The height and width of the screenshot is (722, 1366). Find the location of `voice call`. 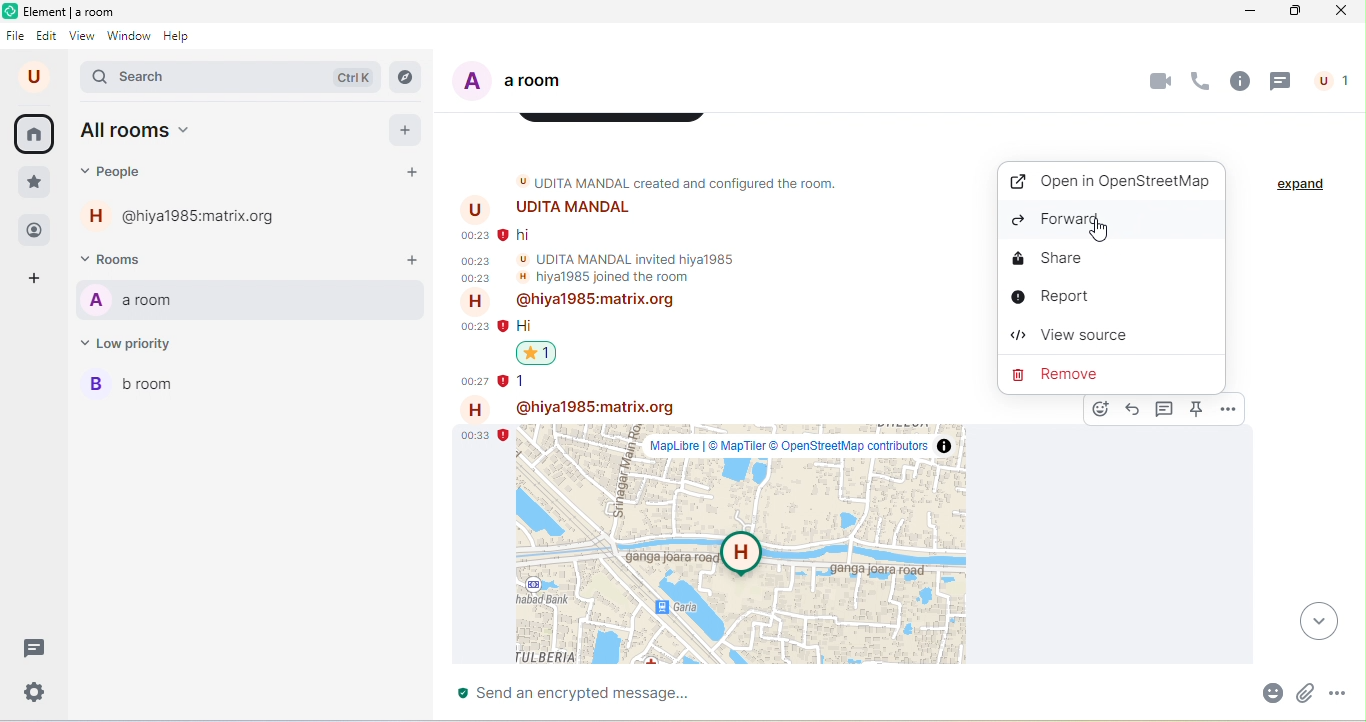

voice call is located at coordinates (1201, 82).